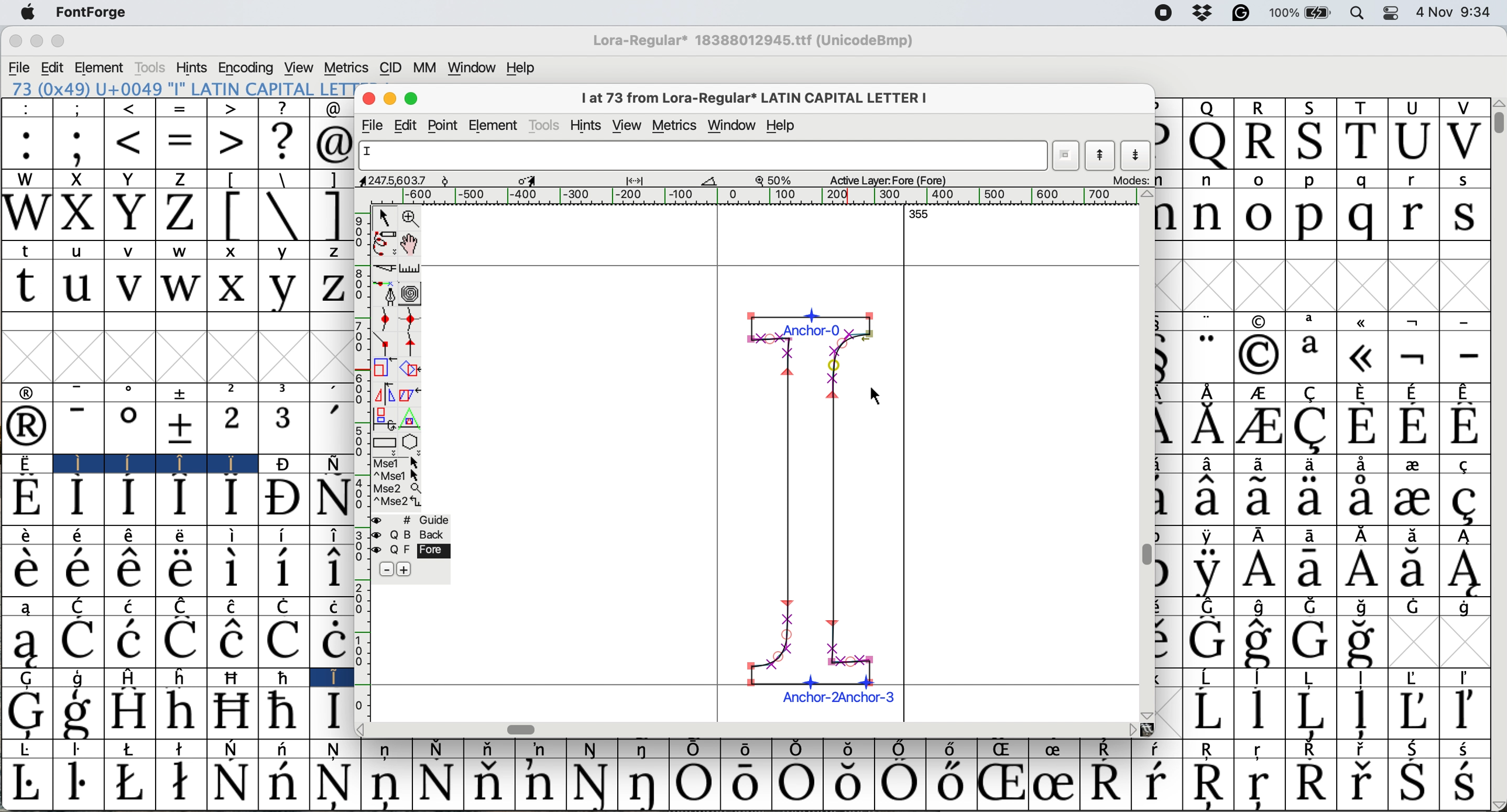  I want to click on Symbol, so click(26, 498).